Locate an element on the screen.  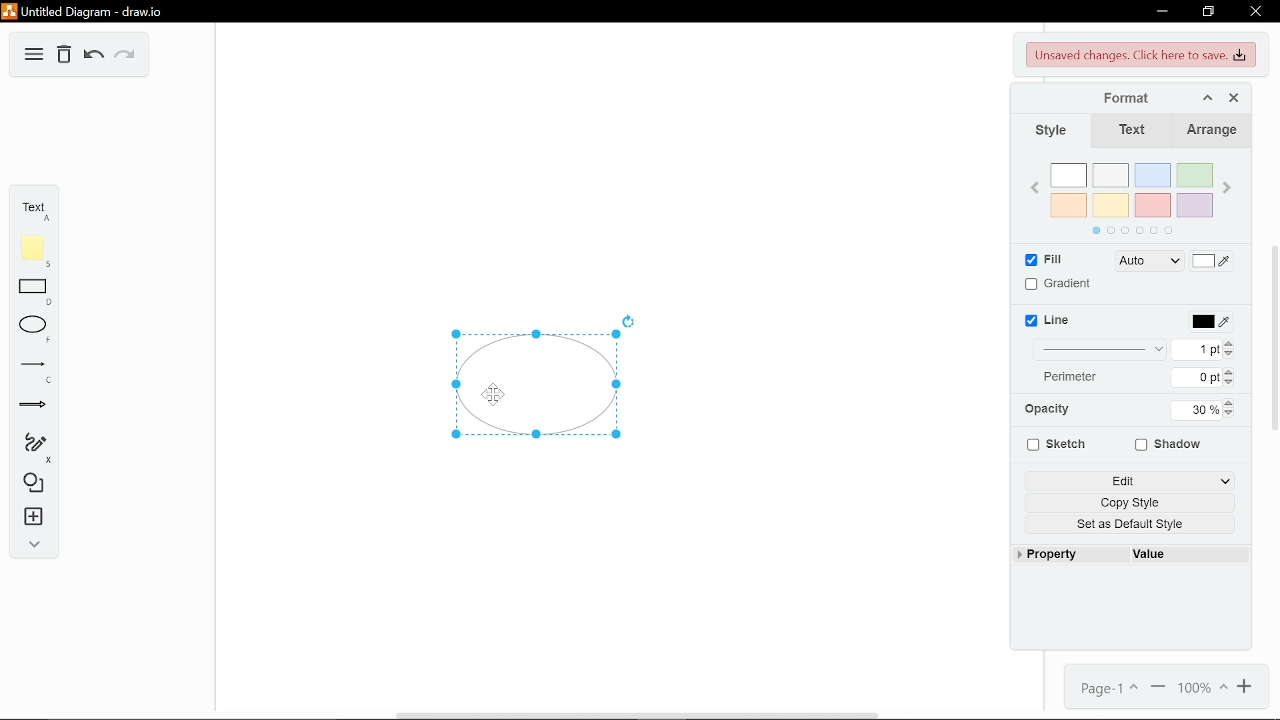
Set as Default Style is located at coordinates (1133, 524).